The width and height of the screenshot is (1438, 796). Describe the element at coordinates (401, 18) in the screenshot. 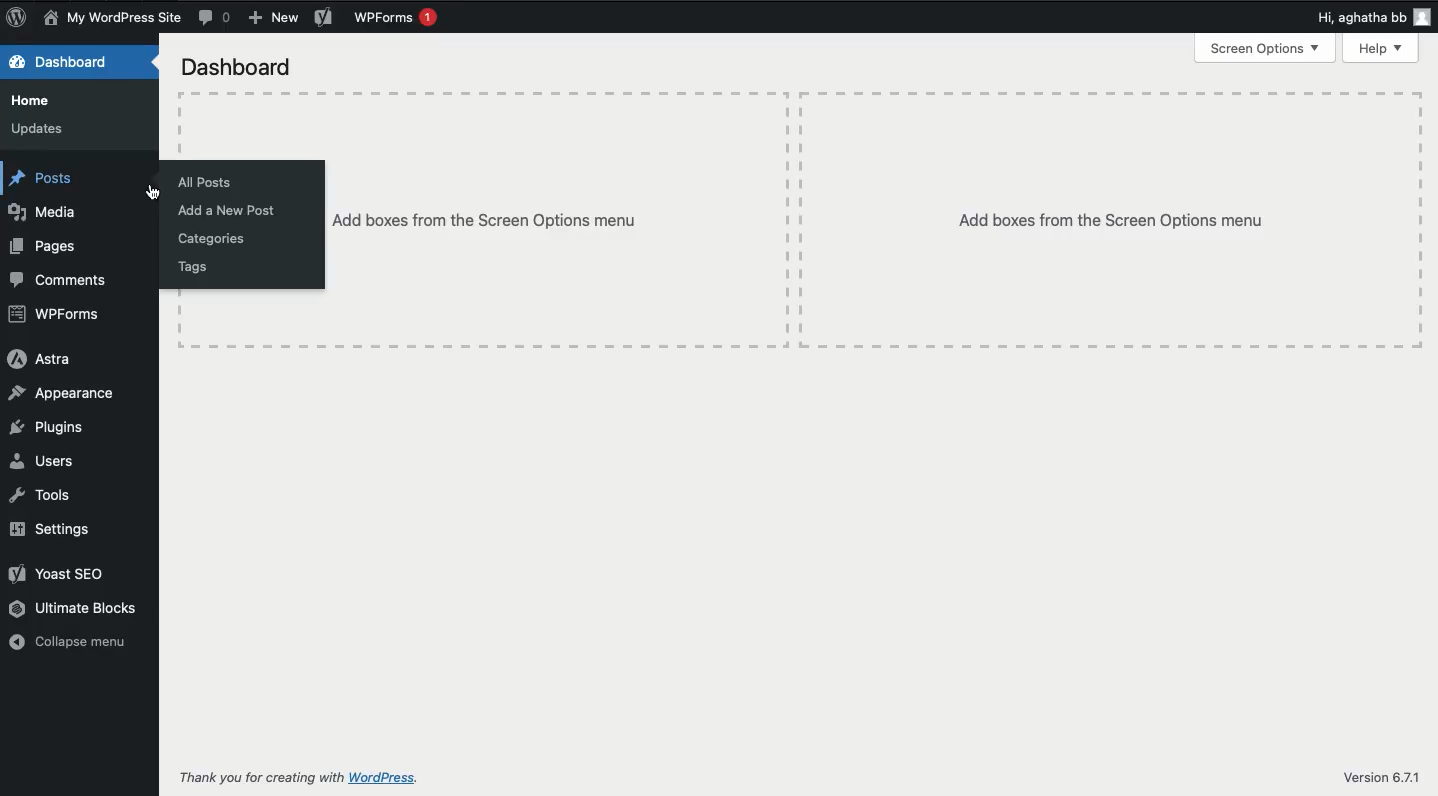

I see `WPForms` at that location.